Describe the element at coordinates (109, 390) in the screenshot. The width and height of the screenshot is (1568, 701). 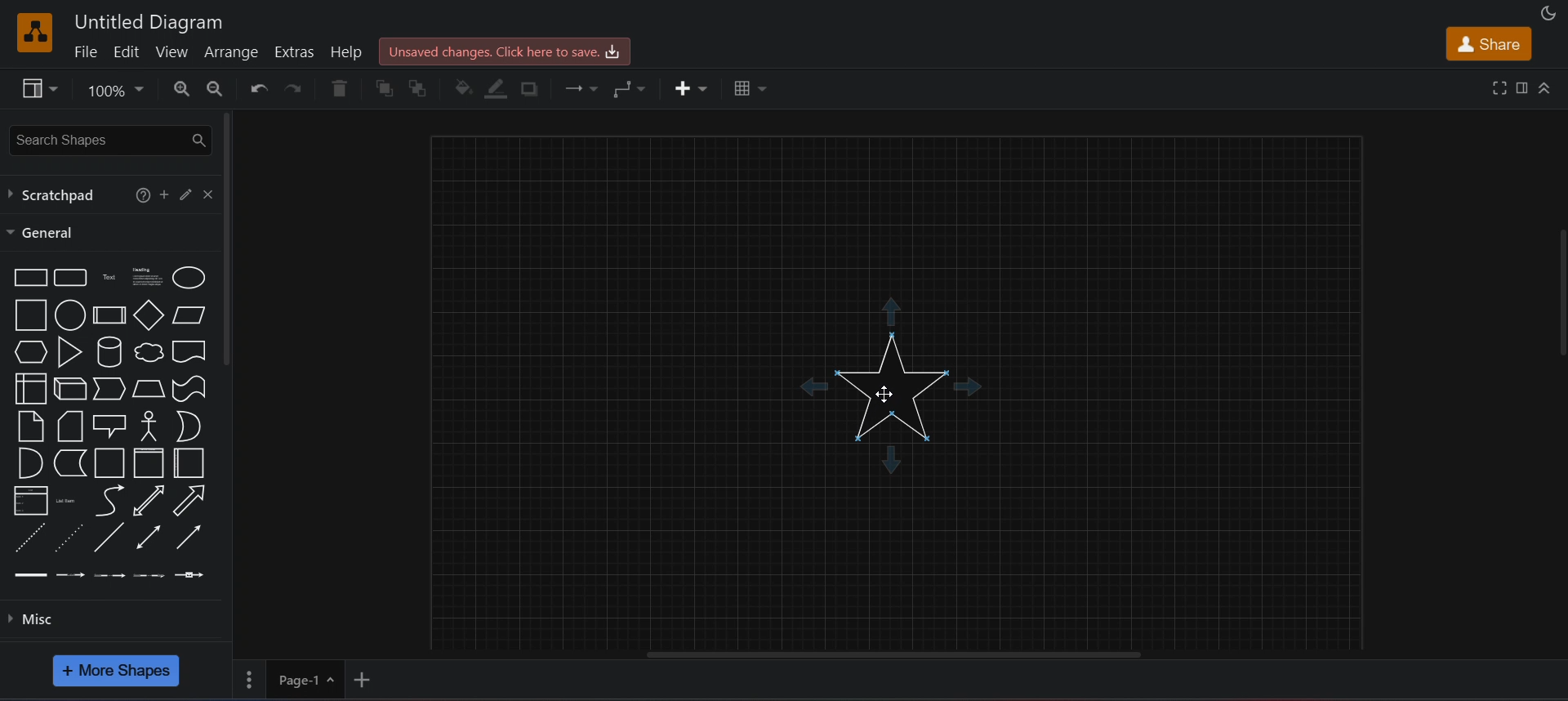
I see `steps` at that location.